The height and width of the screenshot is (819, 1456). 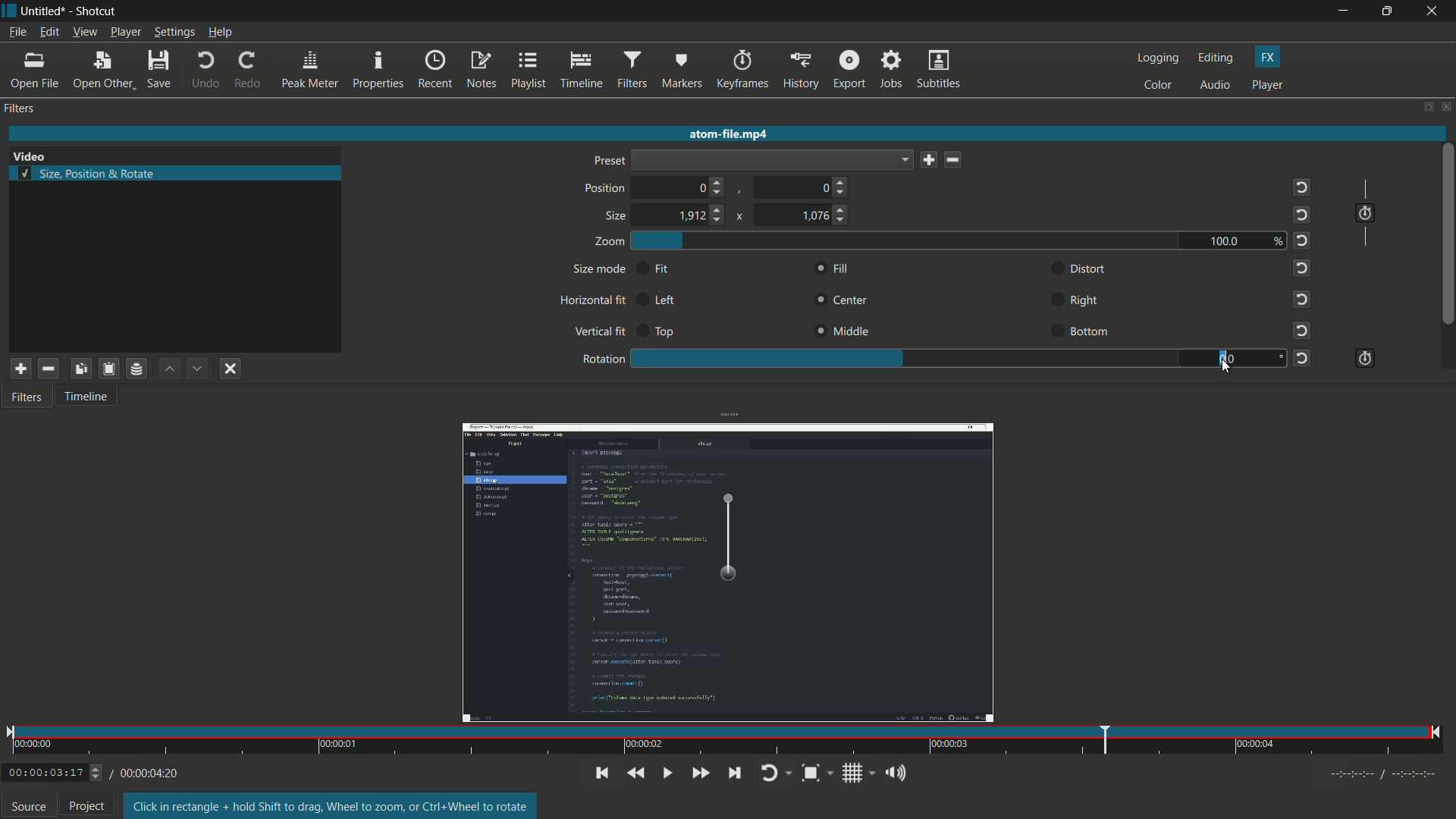 What do you see at coordinates (1447, 234) in the screenshot?
I see `scroll bar` at bounding box center [1447, 234].